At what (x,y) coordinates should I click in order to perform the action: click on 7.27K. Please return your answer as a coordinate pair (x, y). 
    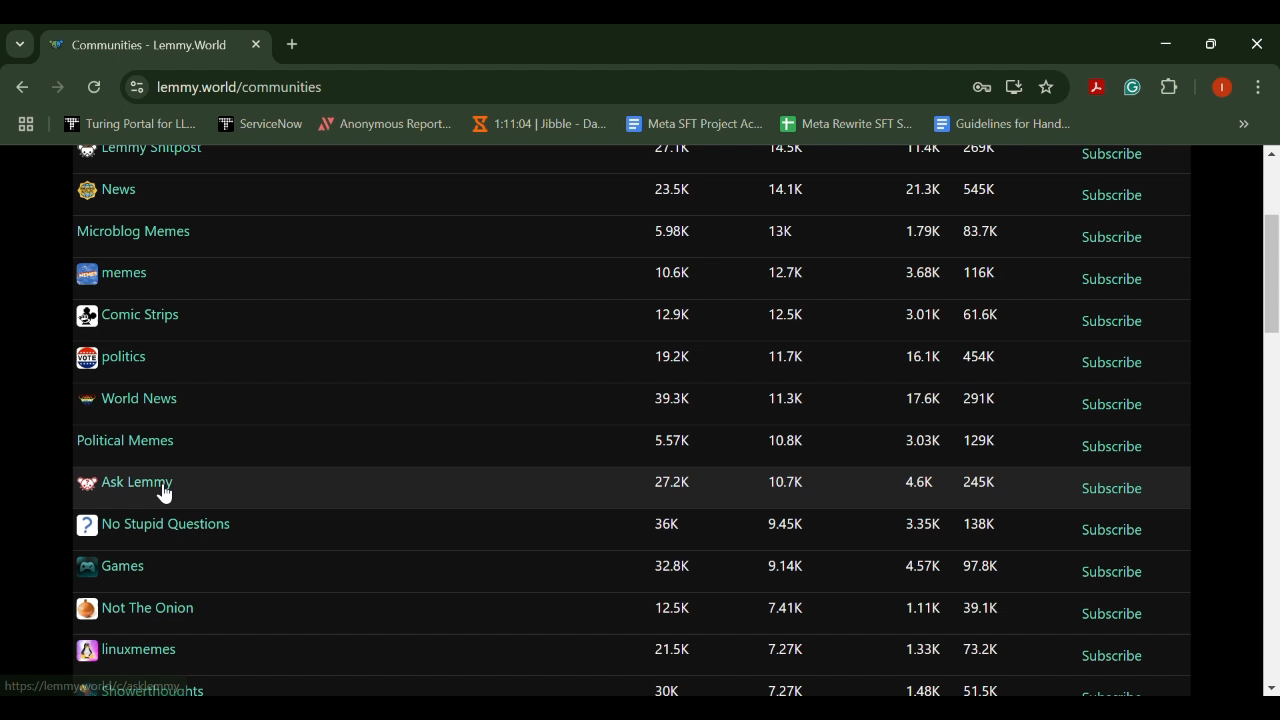
    Looking at the image, I should click on (784, 650).